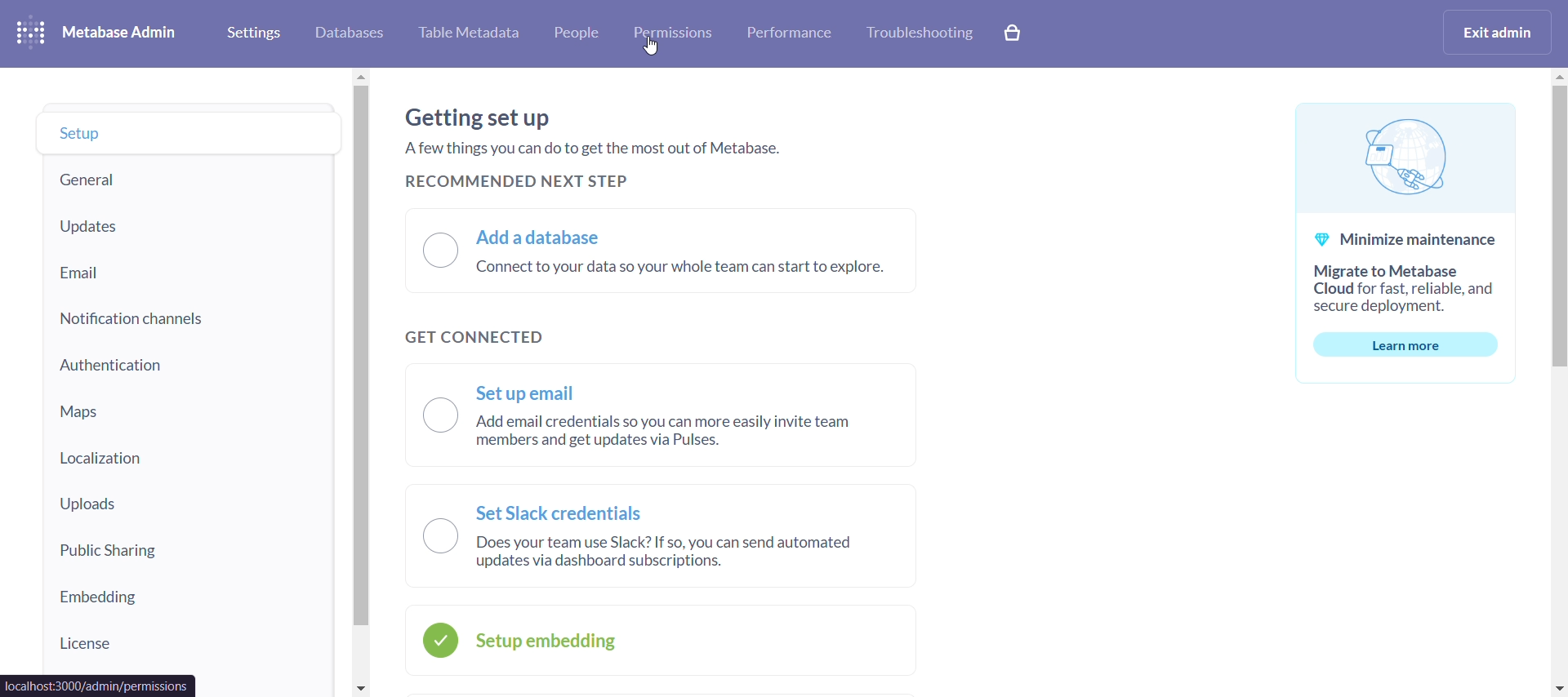 The width and height of the screenshot is (1568, 697). What do you see at coordinates (786, 35) in the screenshot?
I see `performance` at bounding box center [786, 35].